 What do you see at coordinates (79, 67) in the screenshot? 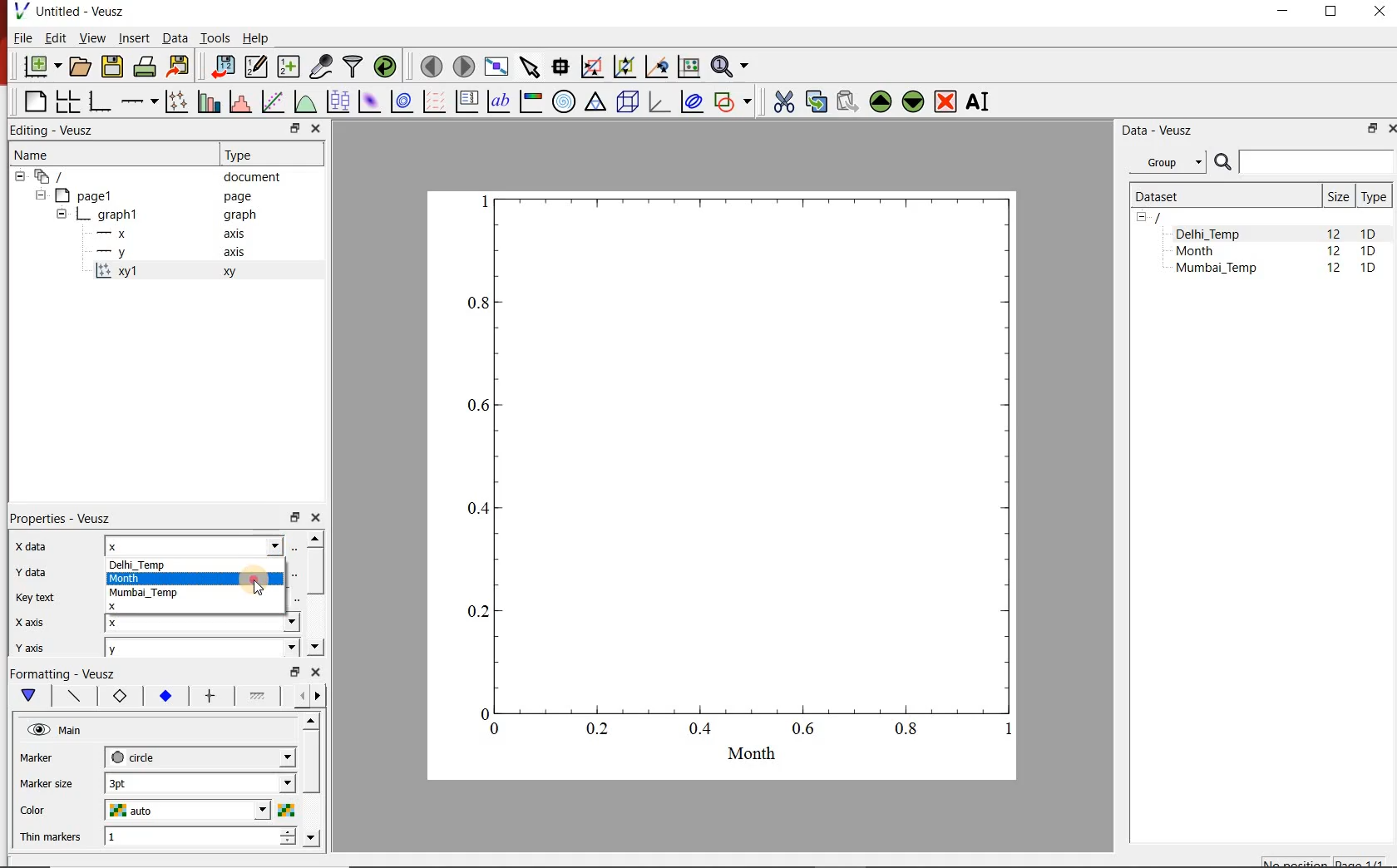
I see `open a document` at bounding box center [79, 67].